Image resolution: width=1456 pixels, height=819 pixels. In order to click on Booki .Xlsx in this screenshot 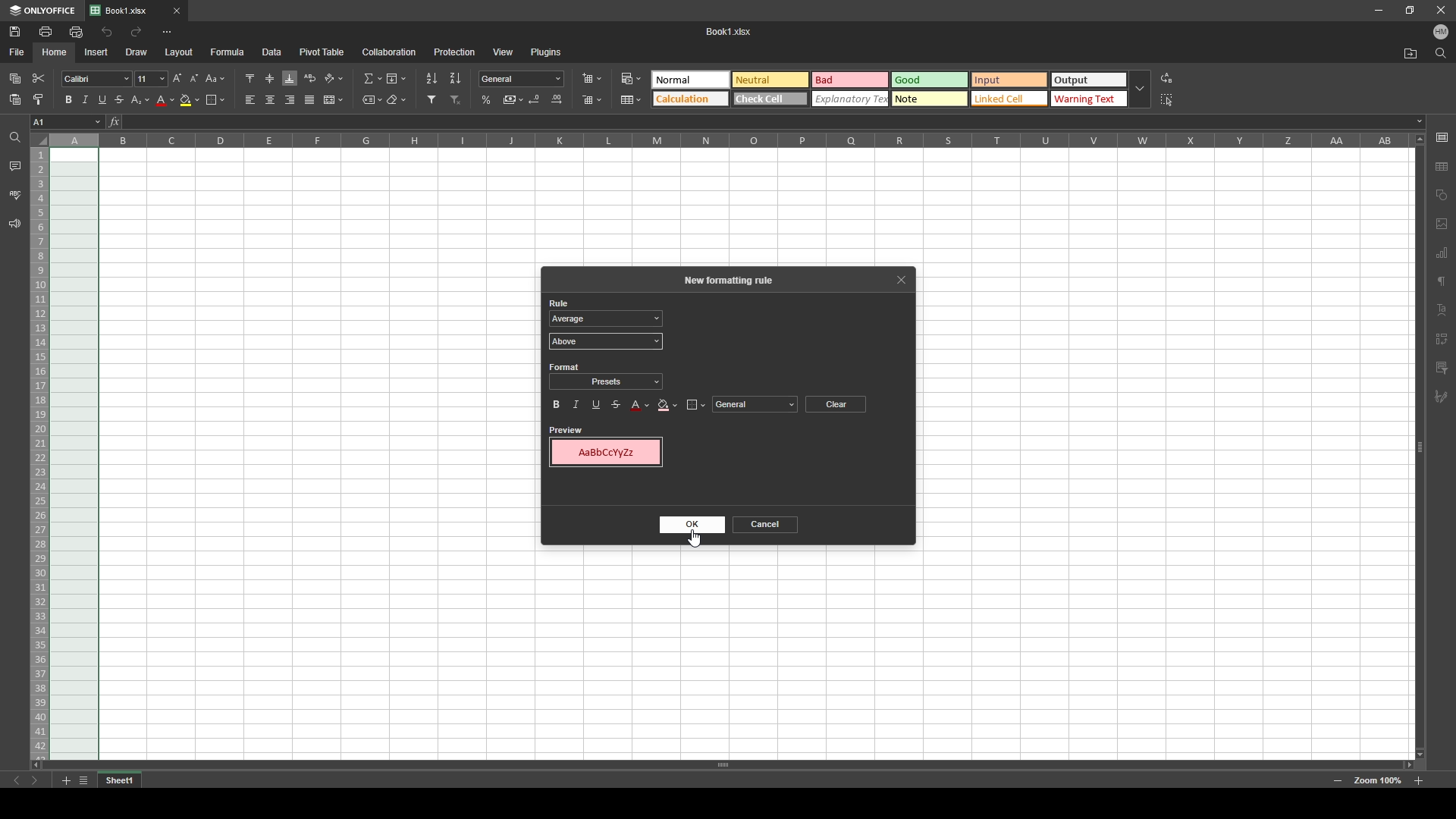, I will do `click(730, 31)`.